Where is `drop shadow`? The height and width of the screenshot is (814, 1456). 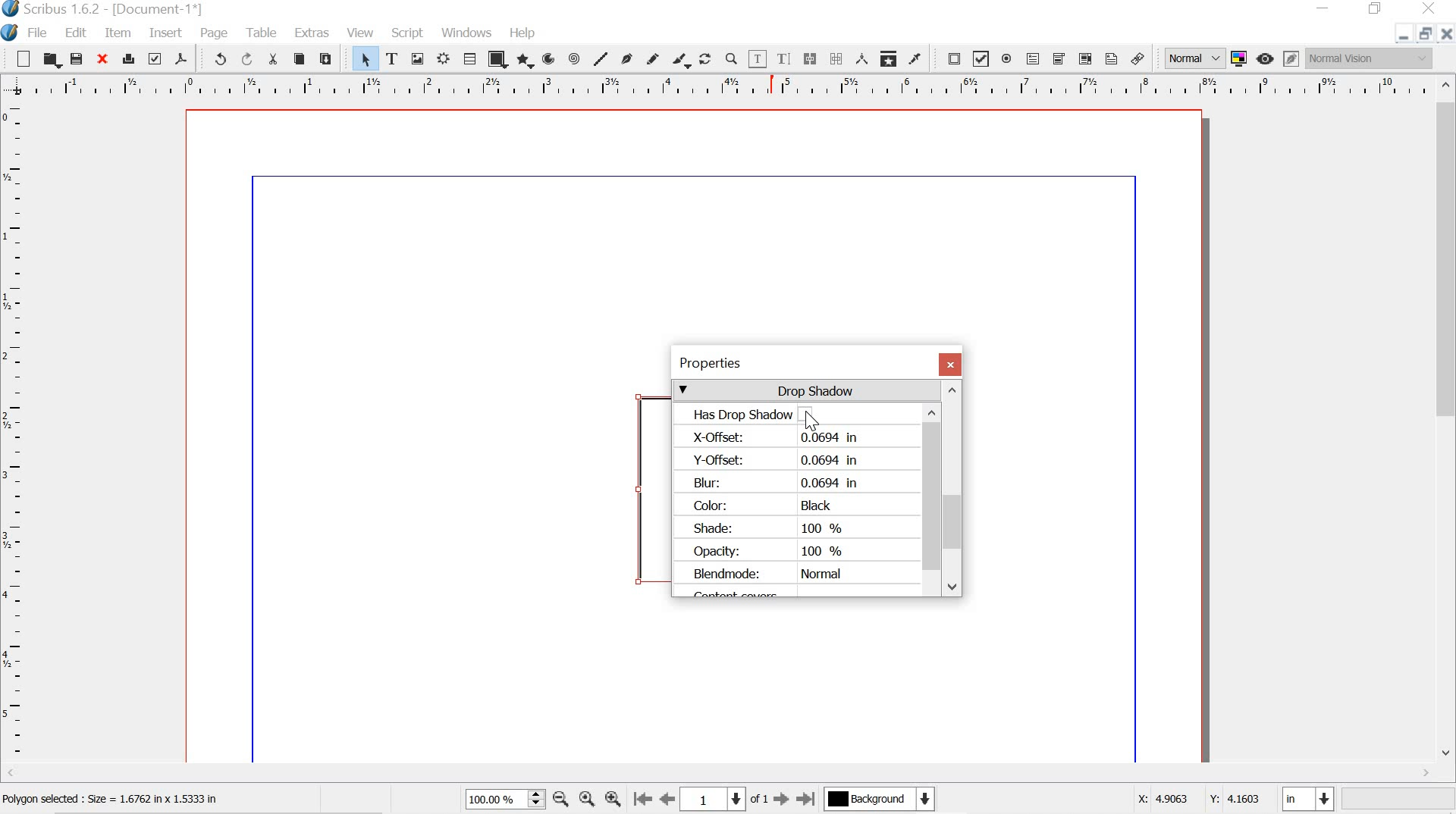
drop shadow is located at coordinates (806, 390).